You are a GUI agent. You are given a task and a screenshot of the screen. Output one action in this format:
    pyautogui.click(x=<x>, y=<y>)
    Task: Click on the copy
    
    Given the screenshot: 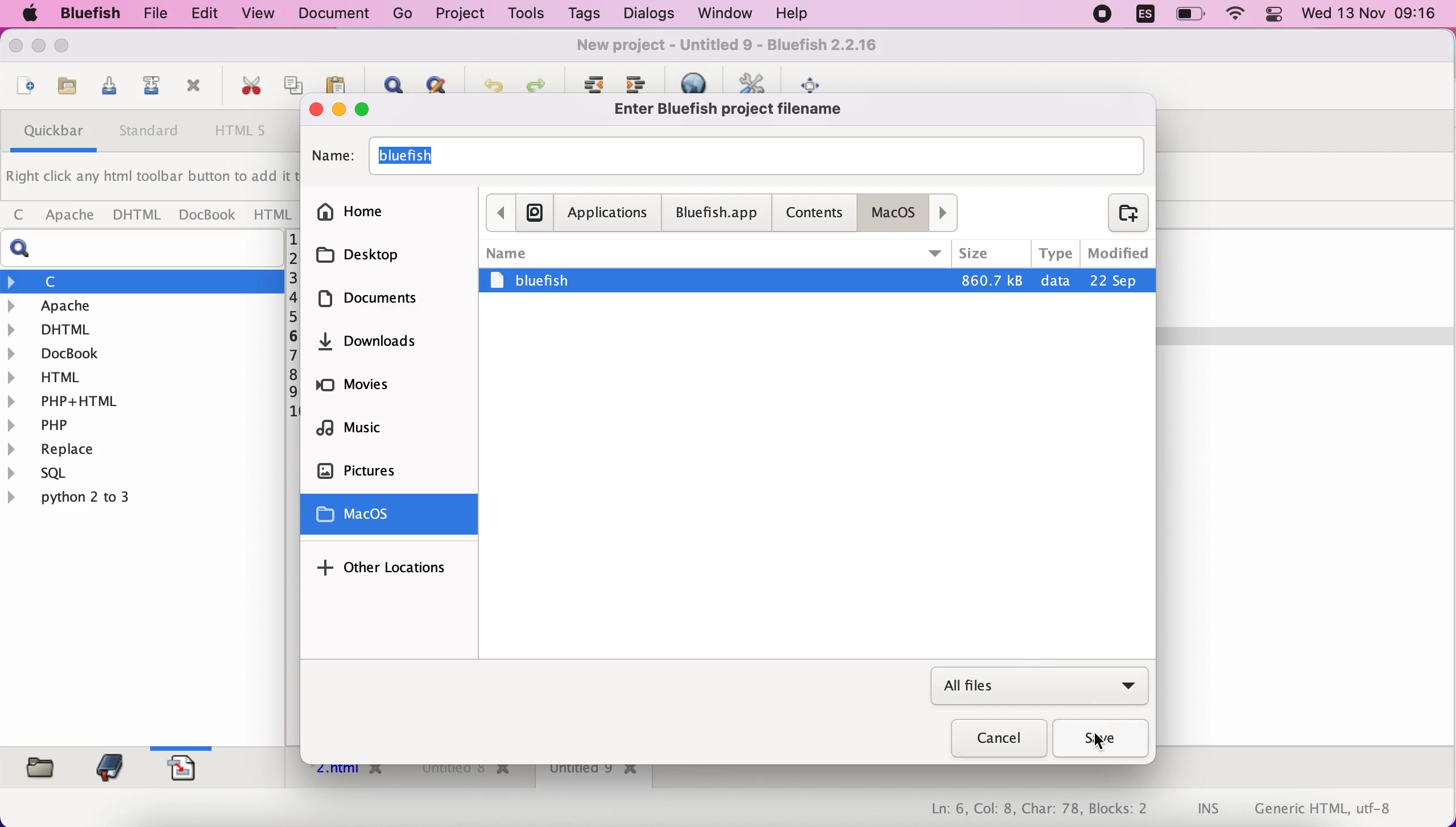 What is the action you would take?
    pyautogui.click(x=295, y=80)
    